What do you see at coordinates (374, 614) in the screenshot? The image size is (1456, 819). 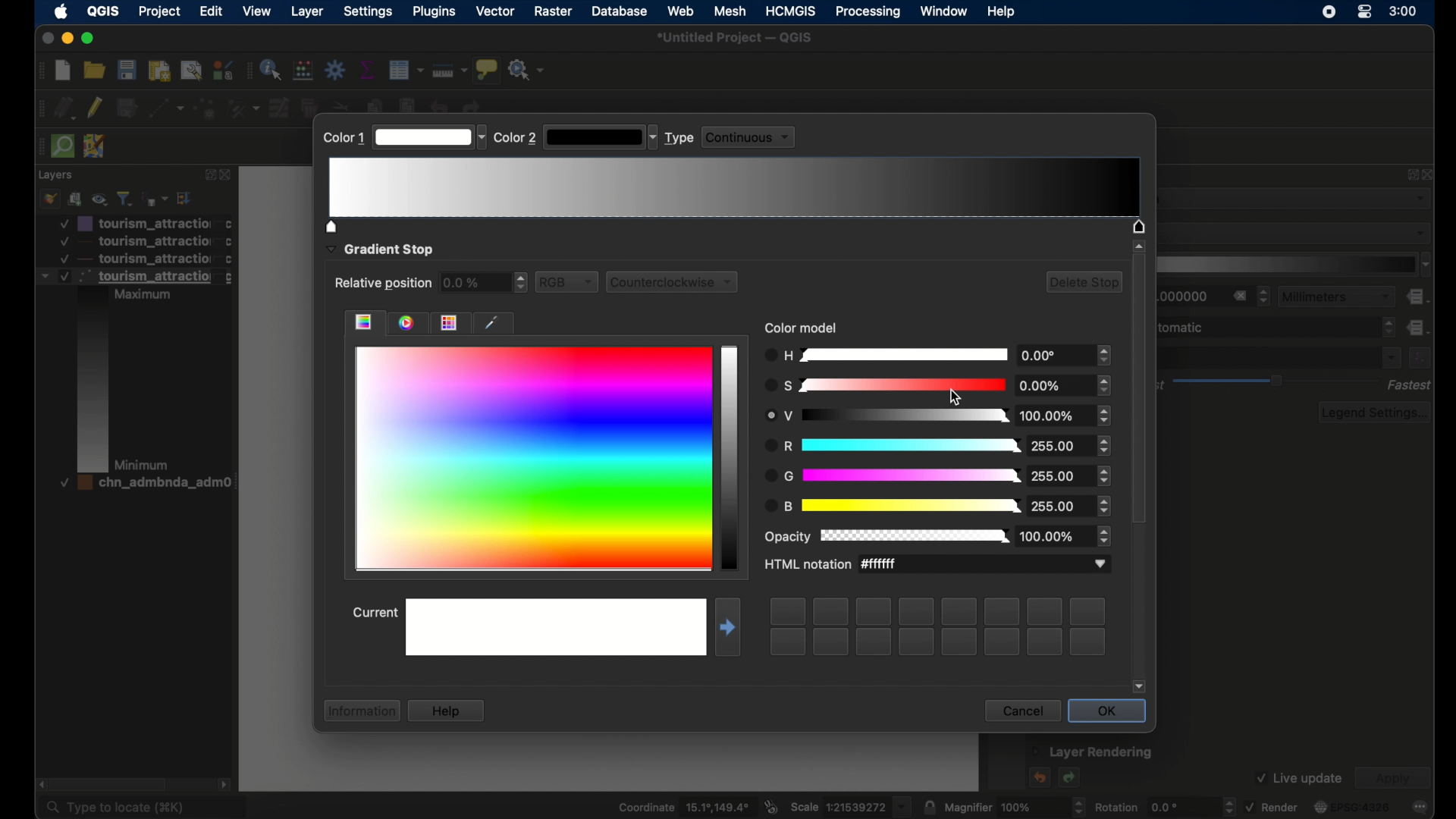 I see `current` at bounding box center [374, 614].